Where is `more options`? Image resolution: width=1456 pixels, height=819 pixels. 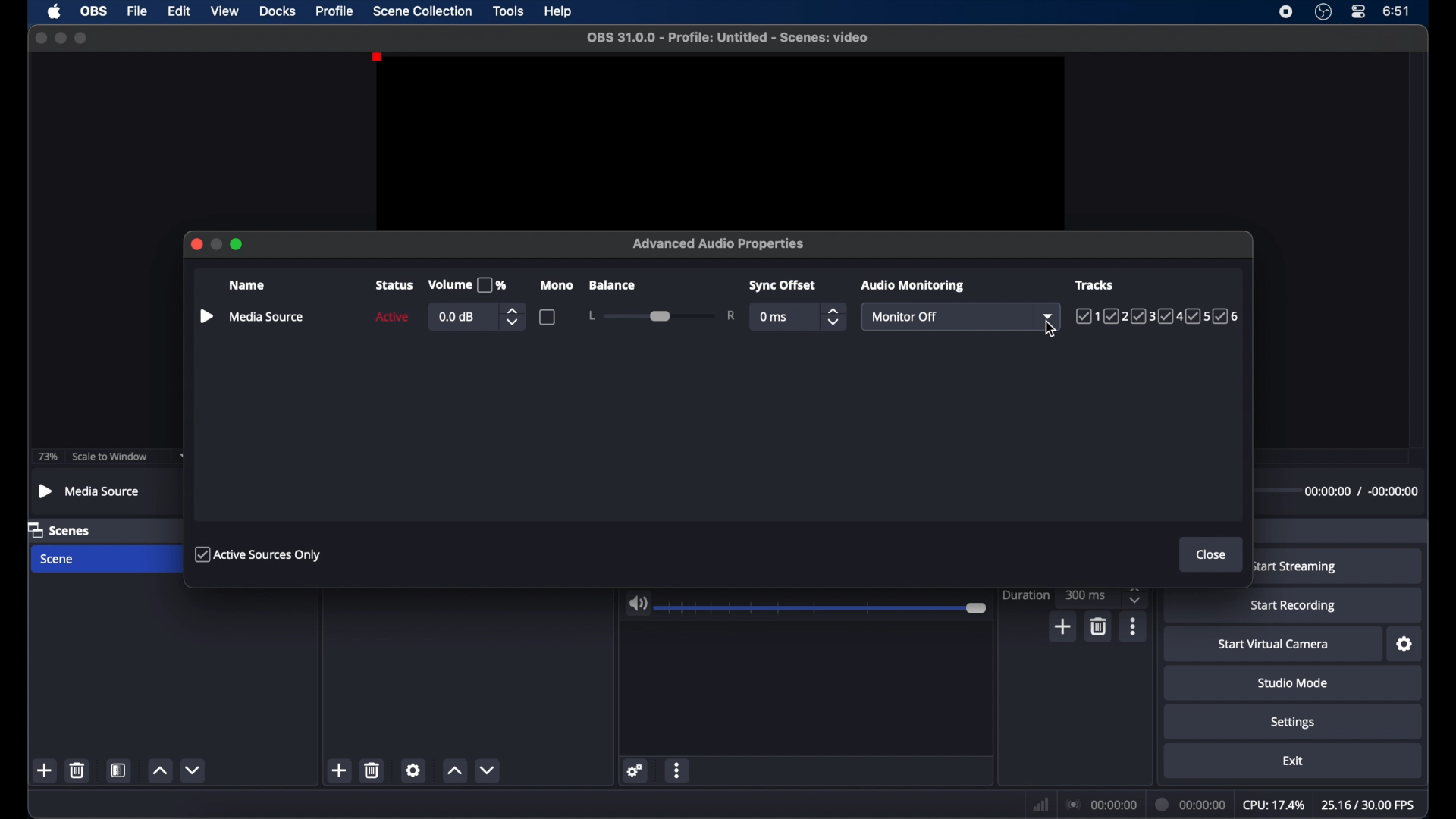
more options is located at coordinates (678, 771).